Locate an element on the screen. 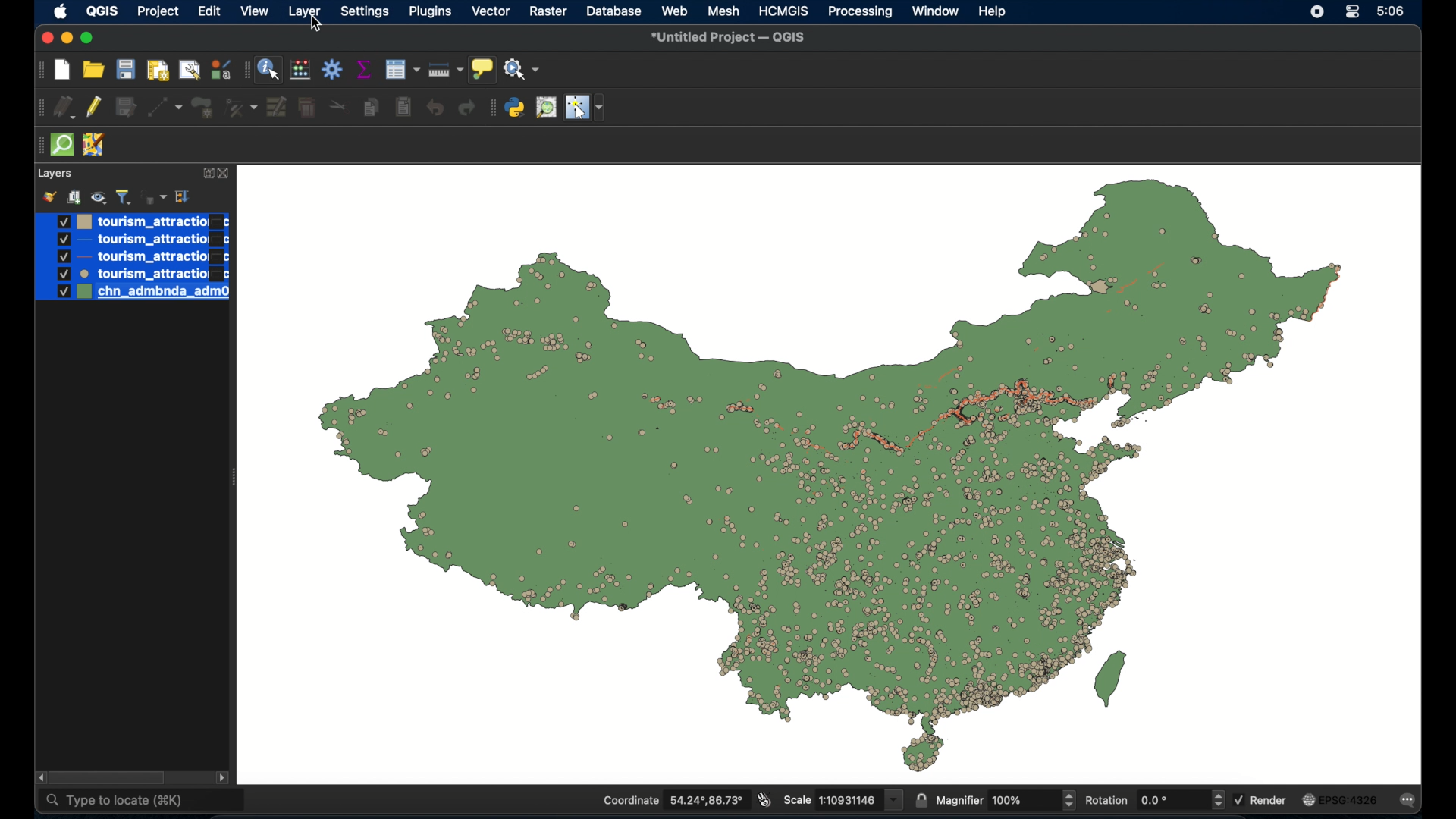  digitize with segment is located at coordinates (165, 108).